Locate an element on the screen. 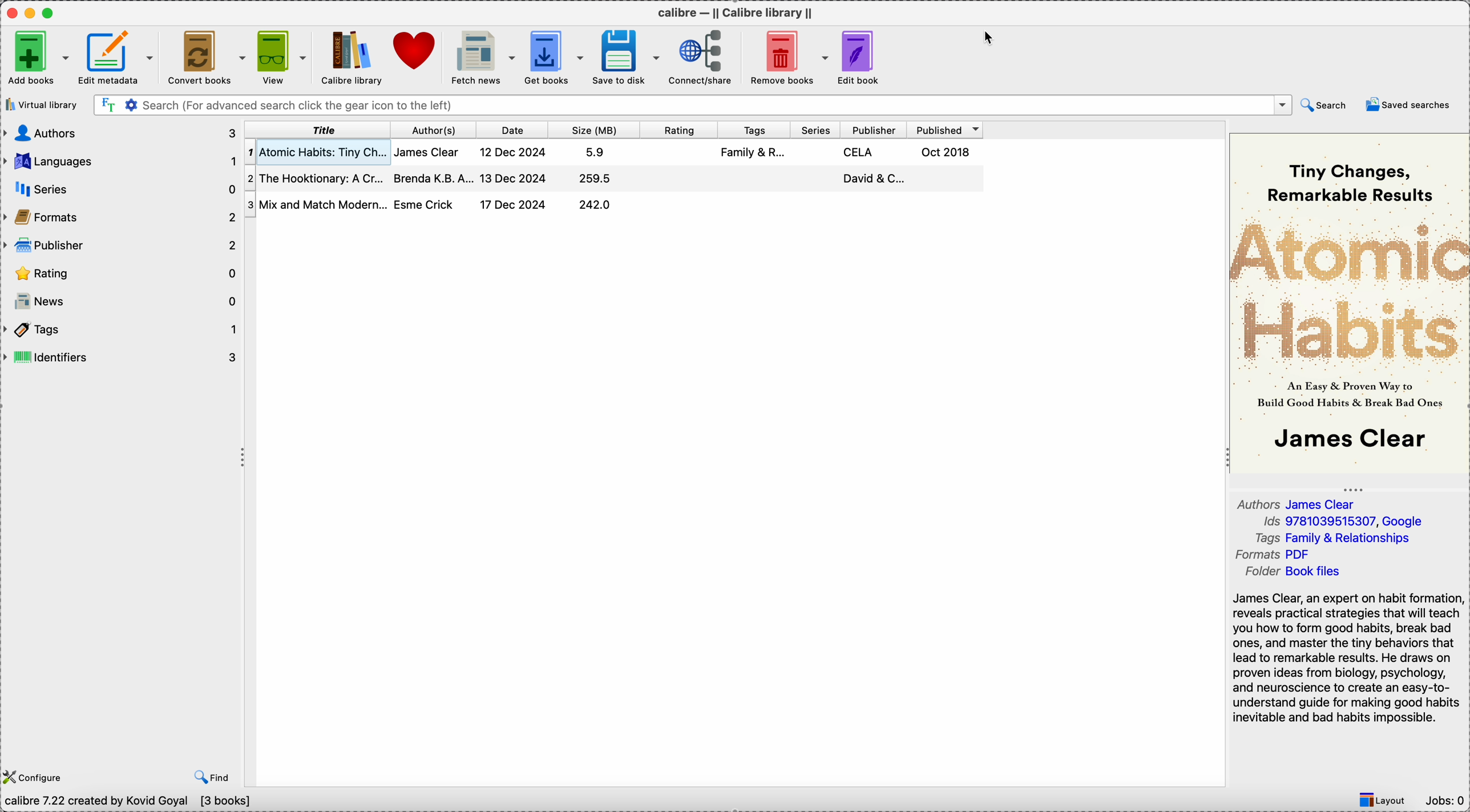 This screenshot has height=812, width=1470. add books is located at coordinates (37, 56).